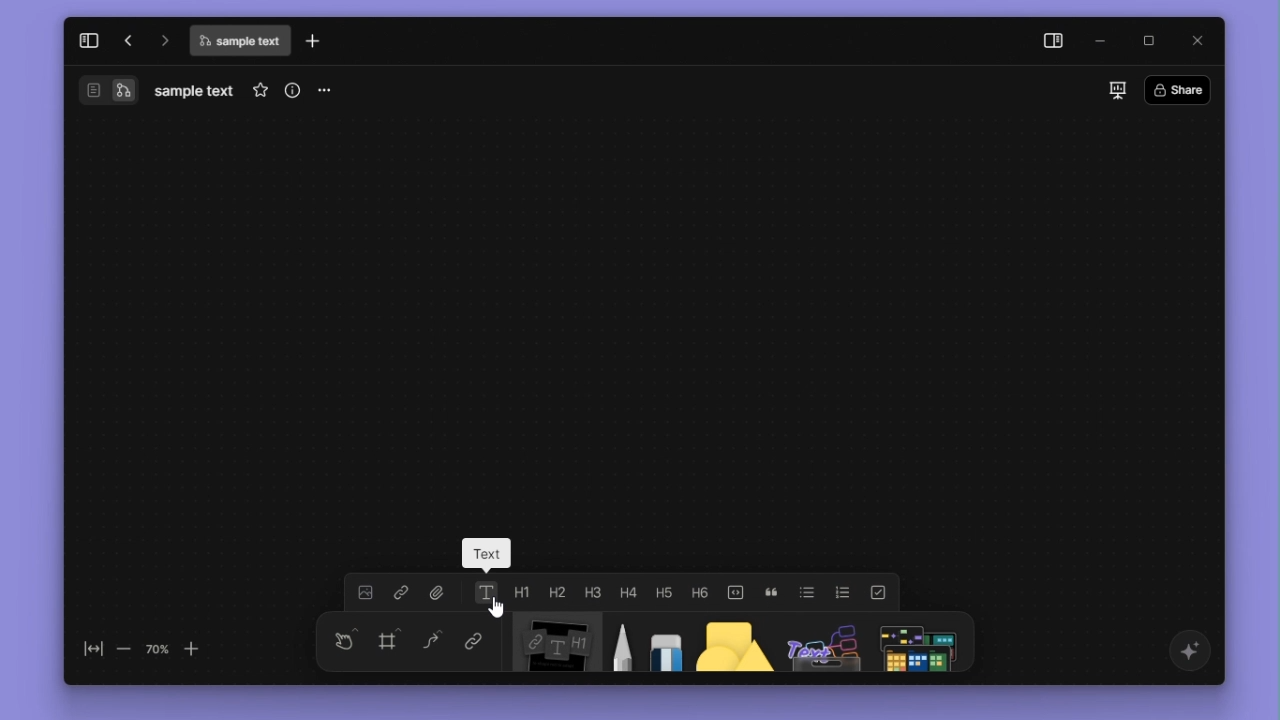  What do you see at coordinates (486, 553) in the screenshot?
I see `text` at bounding box center [486, 553].